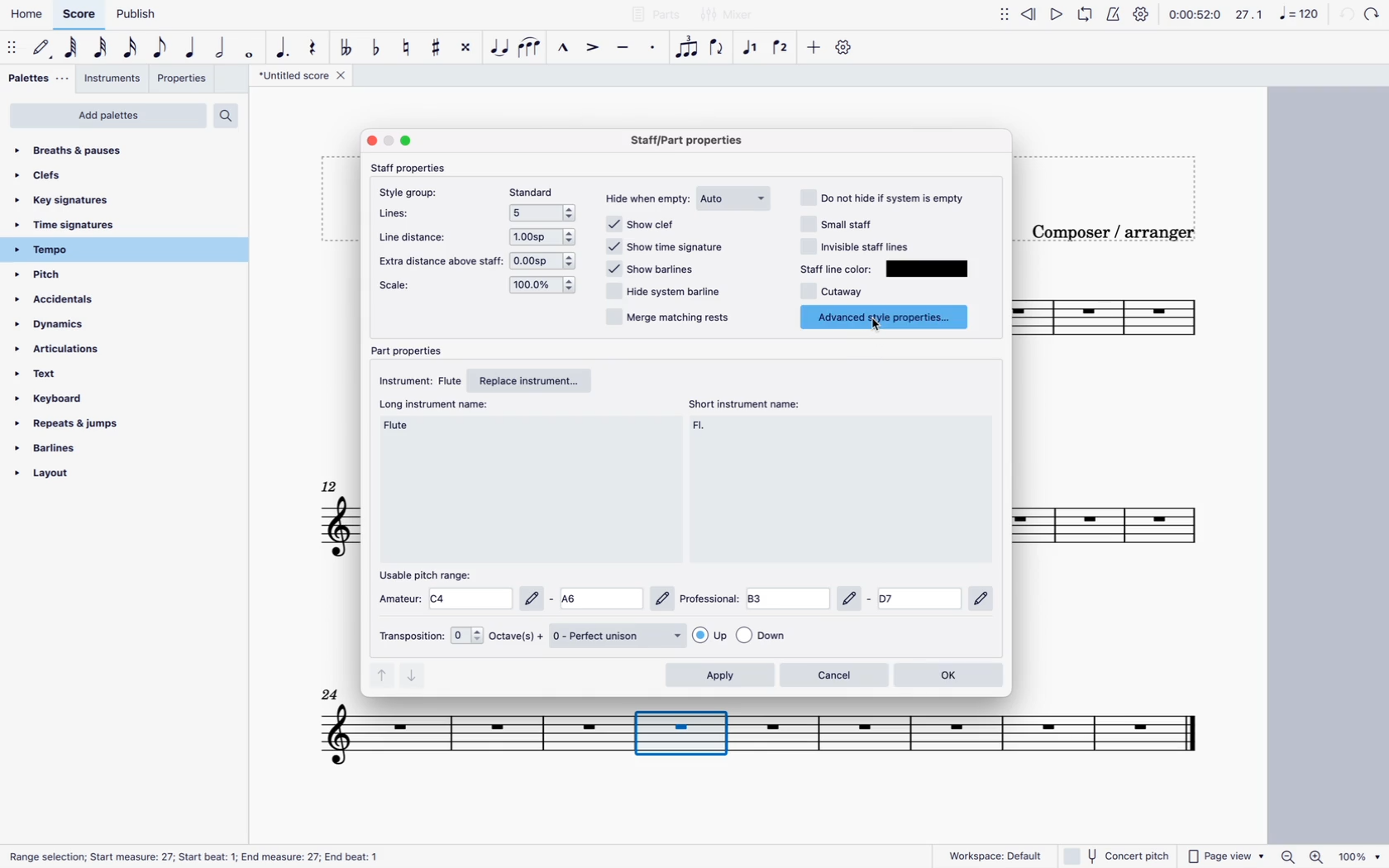 The image size is (1389, 868). I want to click on layout, so click(113, 474).